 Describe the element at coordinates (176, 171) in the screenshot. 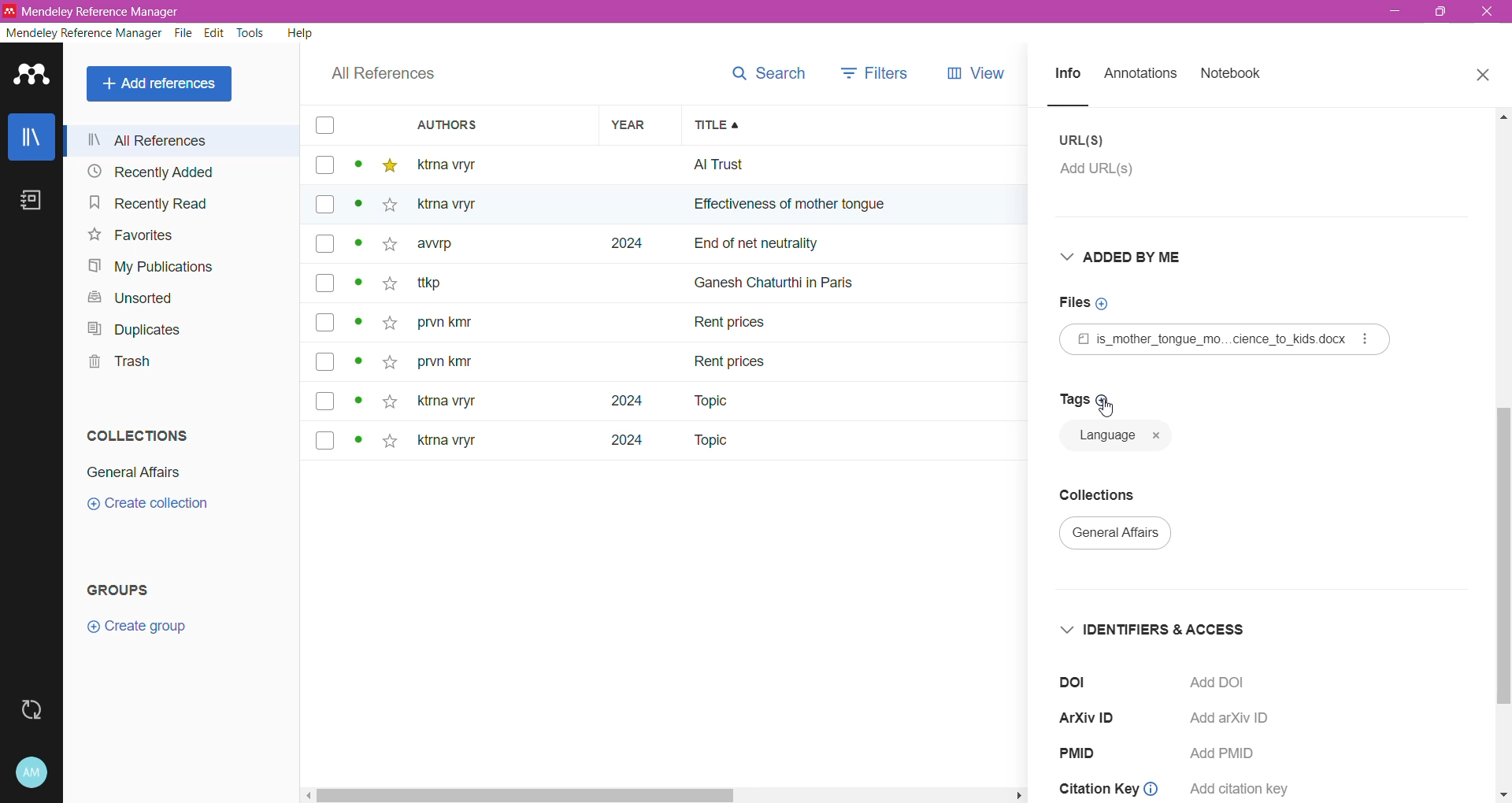

I see `Recently Added` at that location.